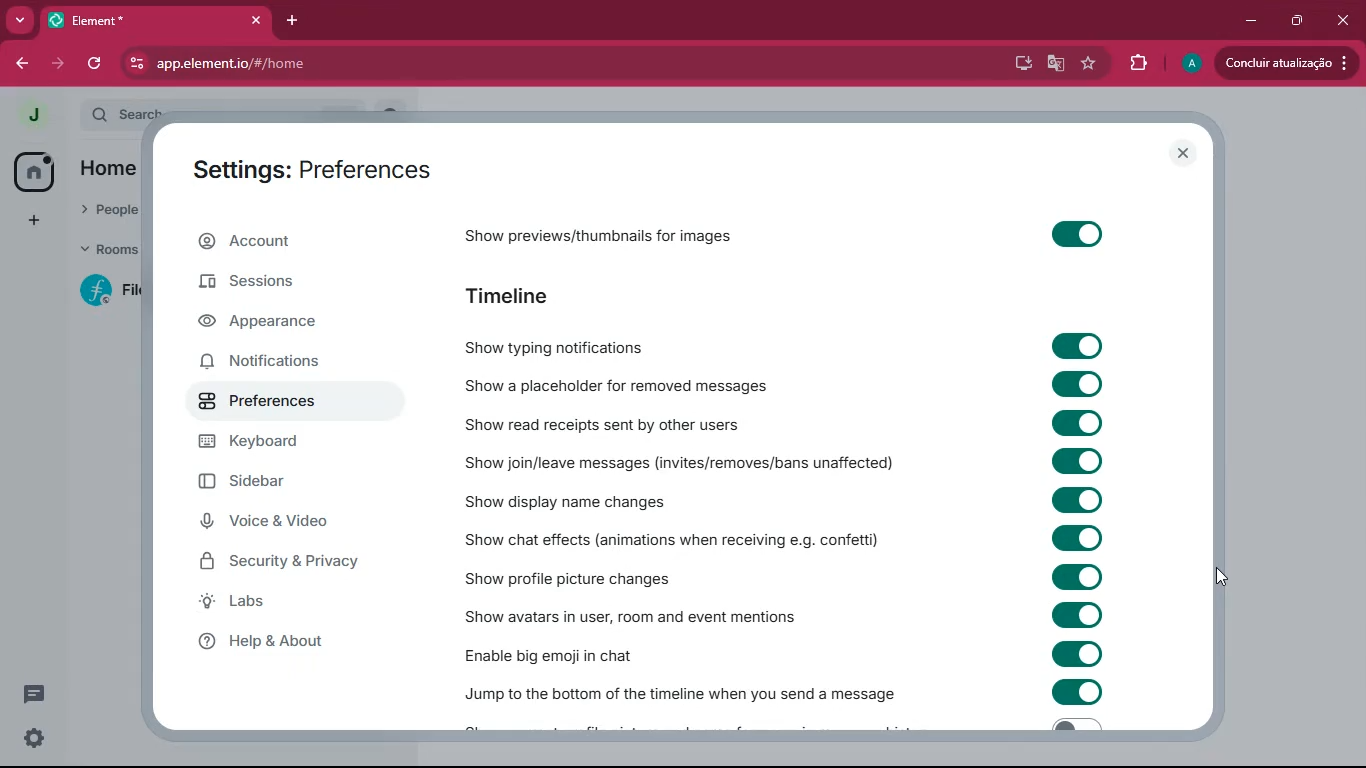  I want to click on desktop, so click(1021, 63).